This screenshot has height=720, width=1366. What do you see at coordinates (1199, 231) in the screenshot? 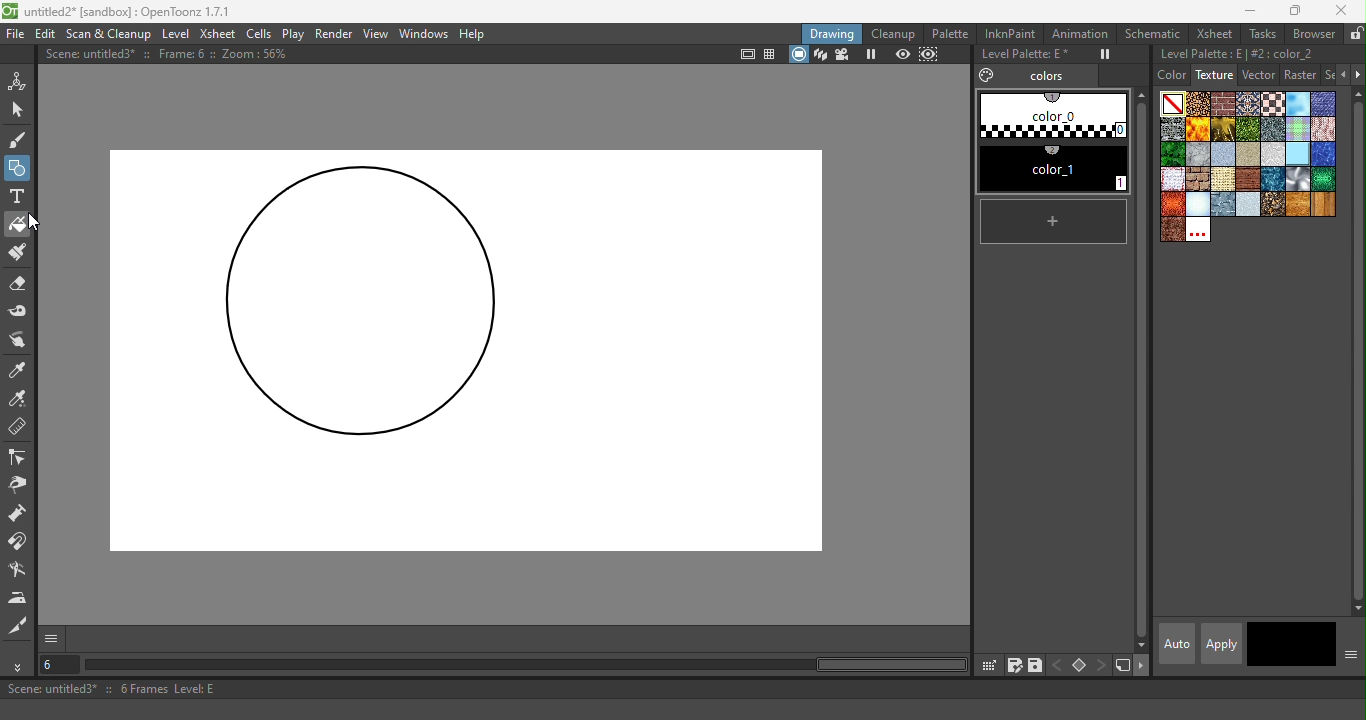
I see `Custom textures` at bounding box center [1199, 231].